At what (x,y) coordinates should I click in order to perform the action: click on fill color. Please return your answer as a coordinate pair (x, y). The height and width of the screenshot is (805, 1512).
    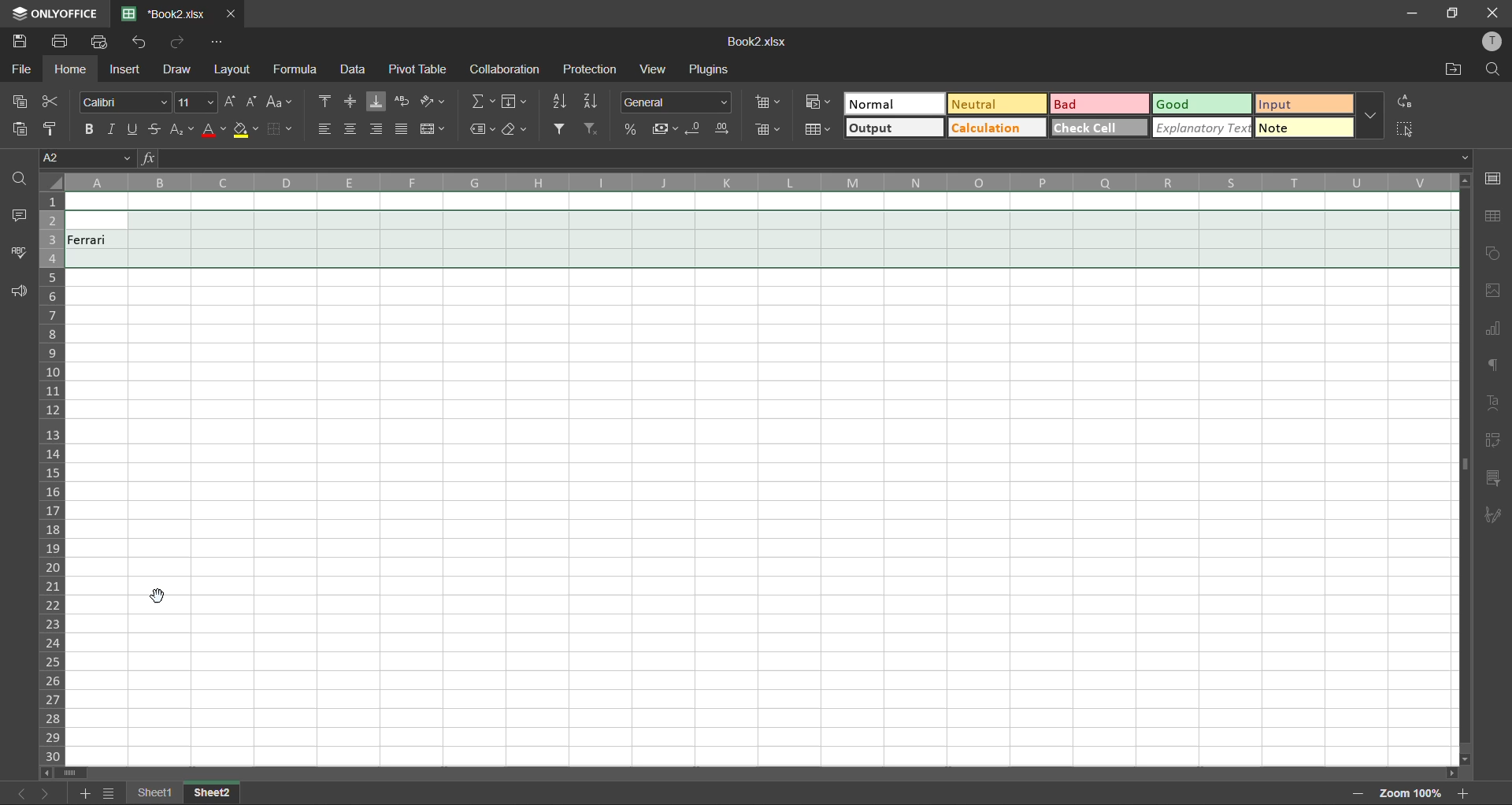
    Looking at the image, I should click on (245, 132).